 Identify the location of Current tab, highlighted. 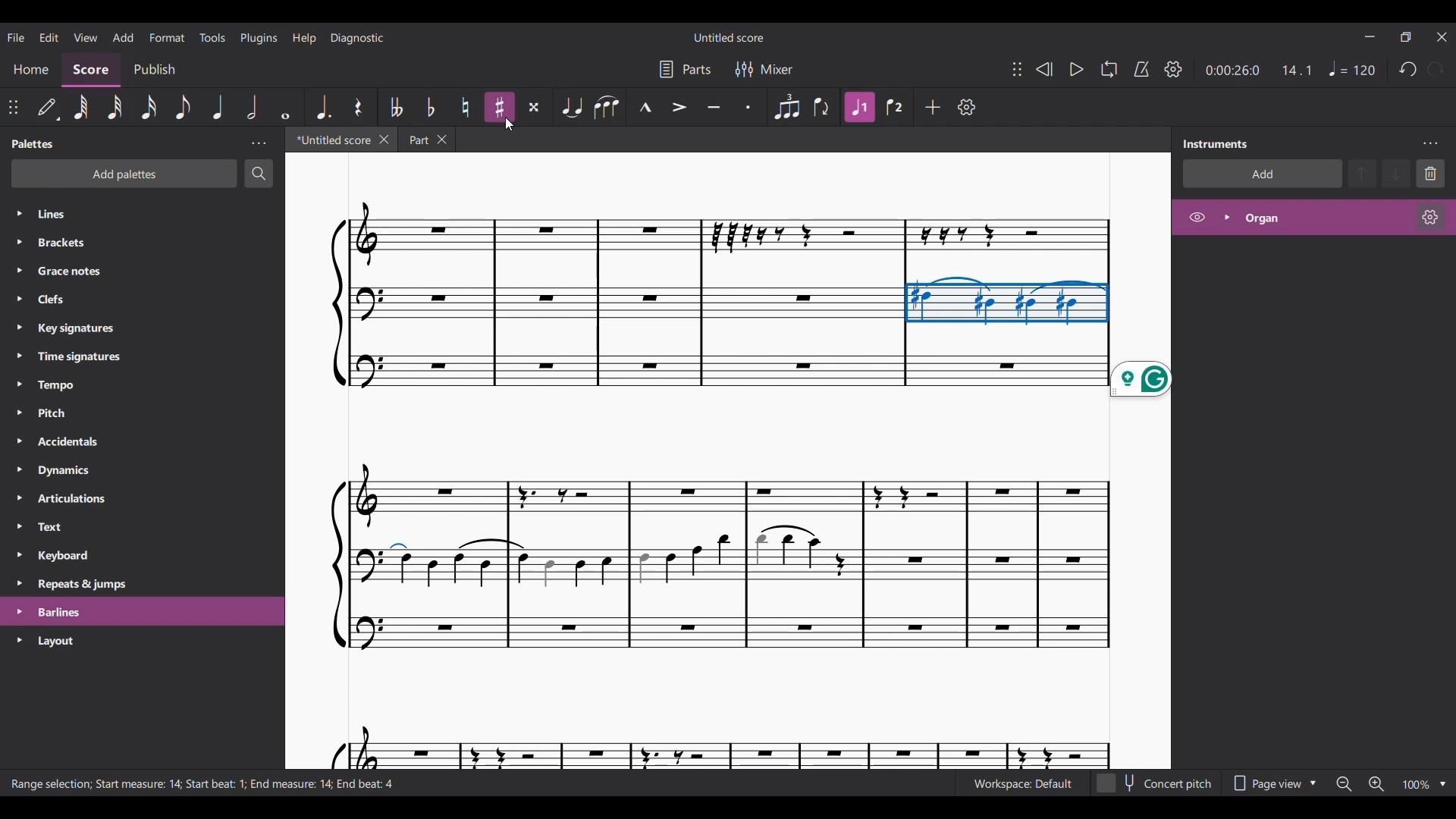
(329, 139).